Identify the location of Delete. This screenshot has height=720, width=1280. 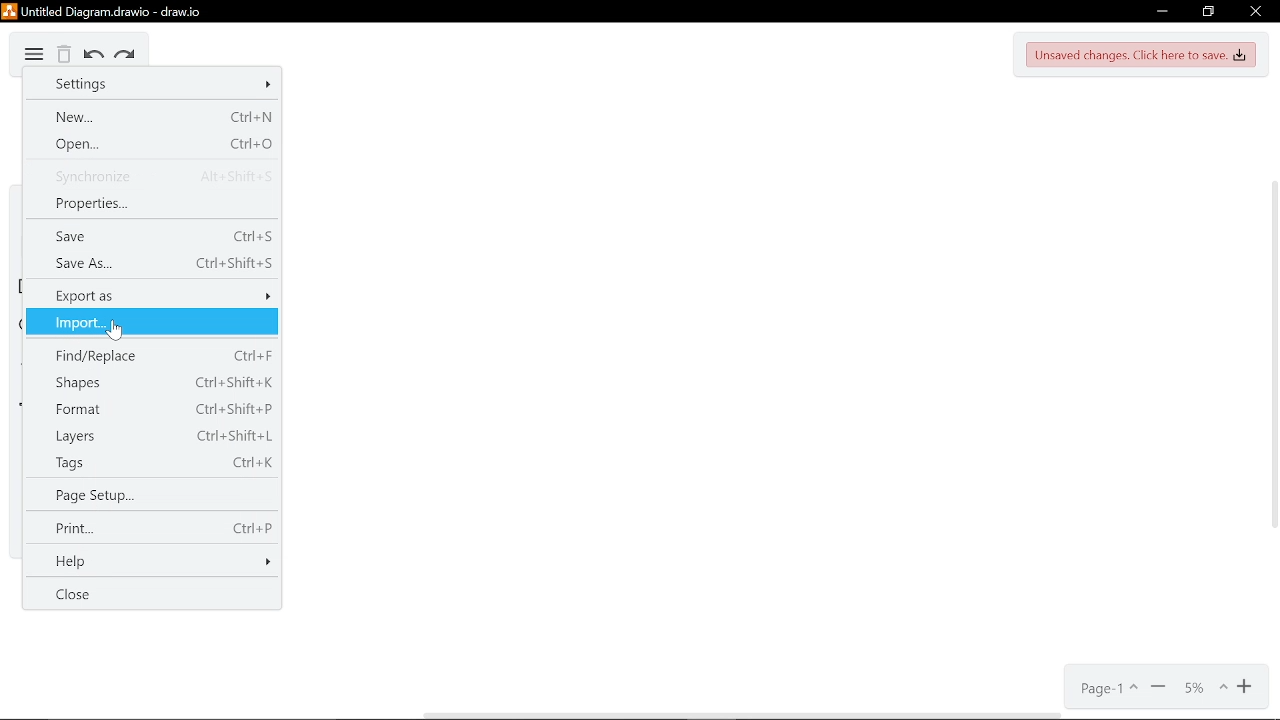
(64, 55).